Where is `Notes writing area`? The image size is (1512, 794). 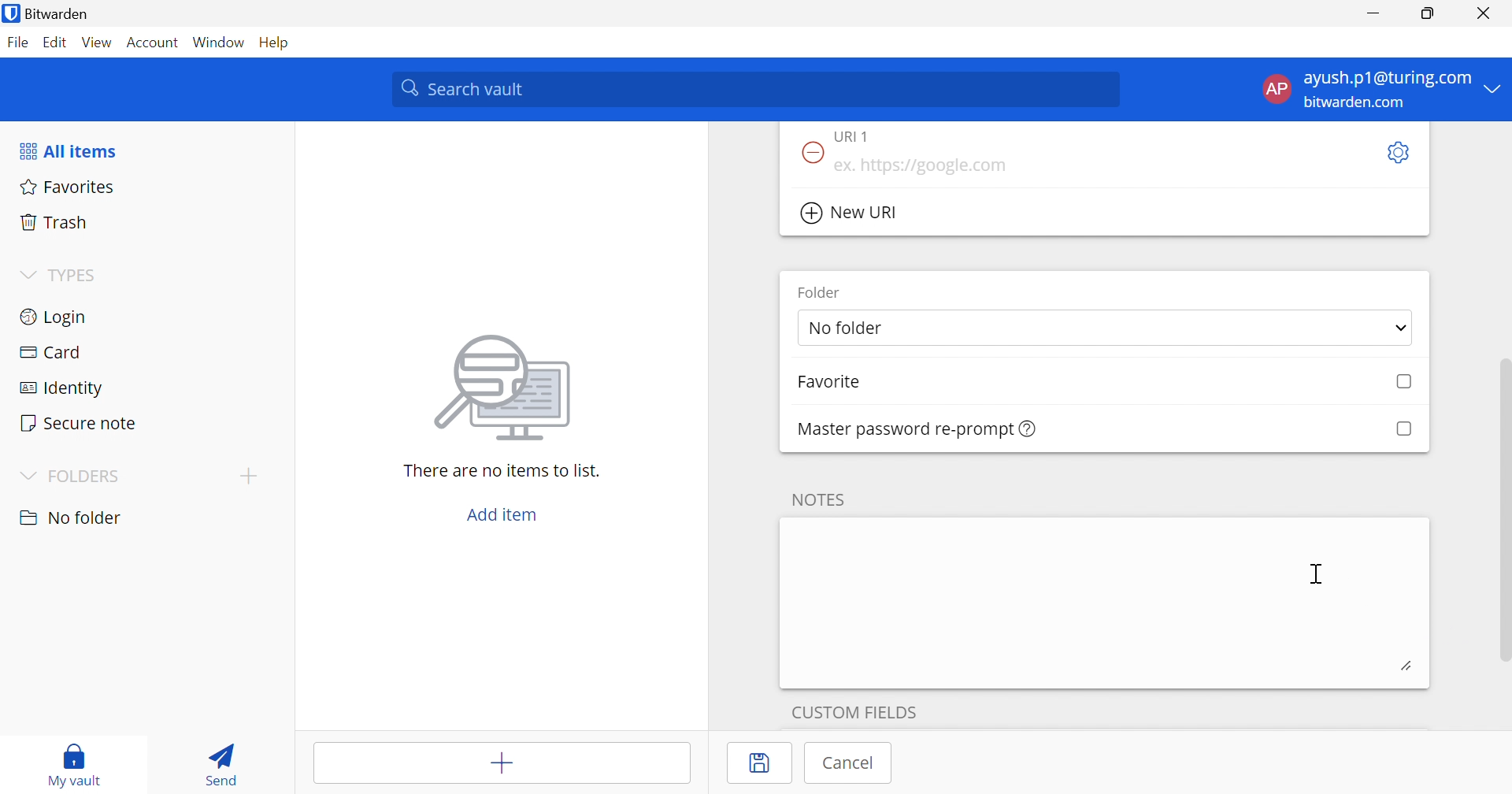 Notes writing area is located at coordinates (1105, 602).